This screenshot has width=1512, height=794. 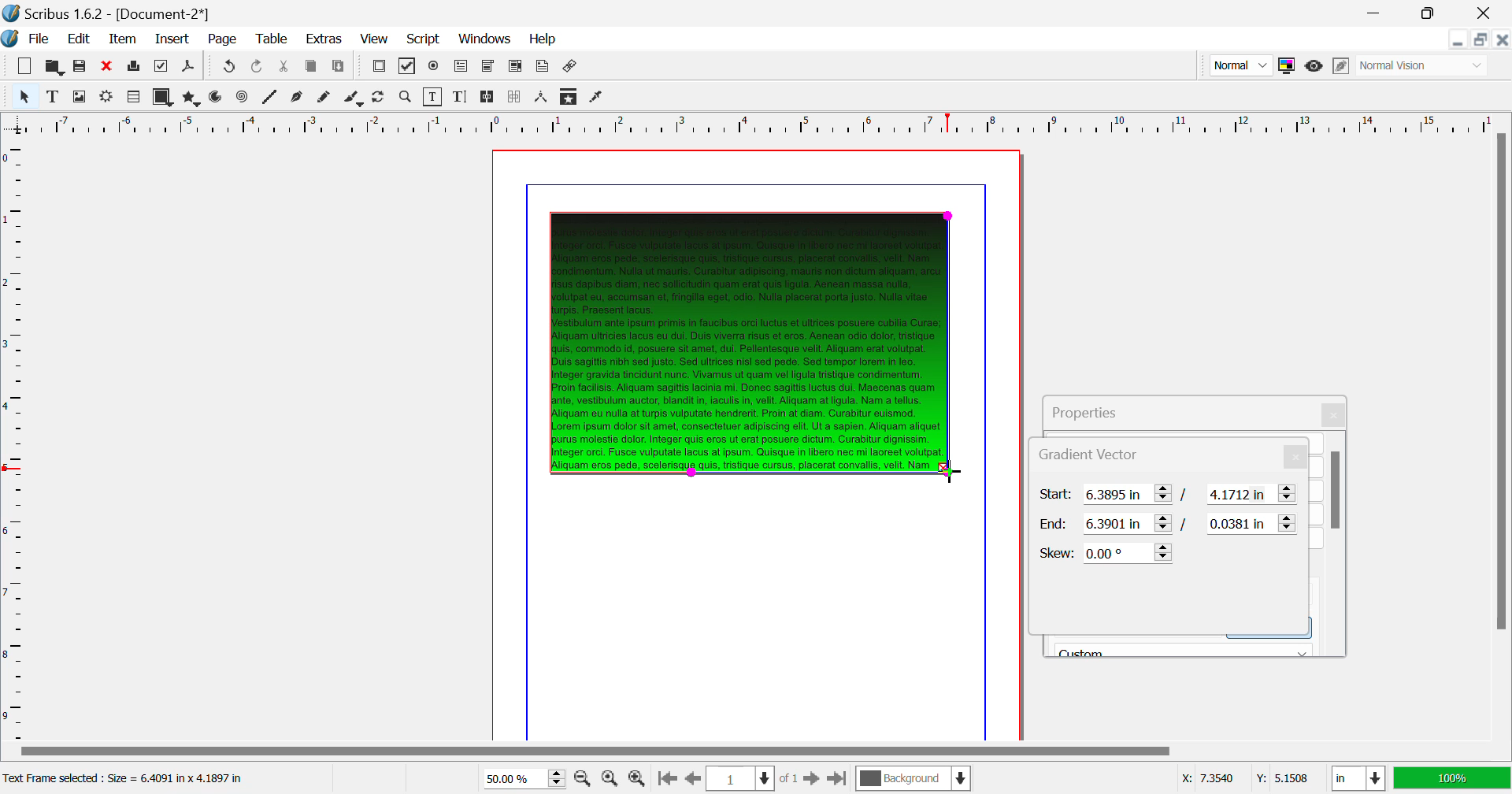 What do you see at coordinates (124, 39) in the screenshot?
I see `Item` at bounding box center [124, 39].